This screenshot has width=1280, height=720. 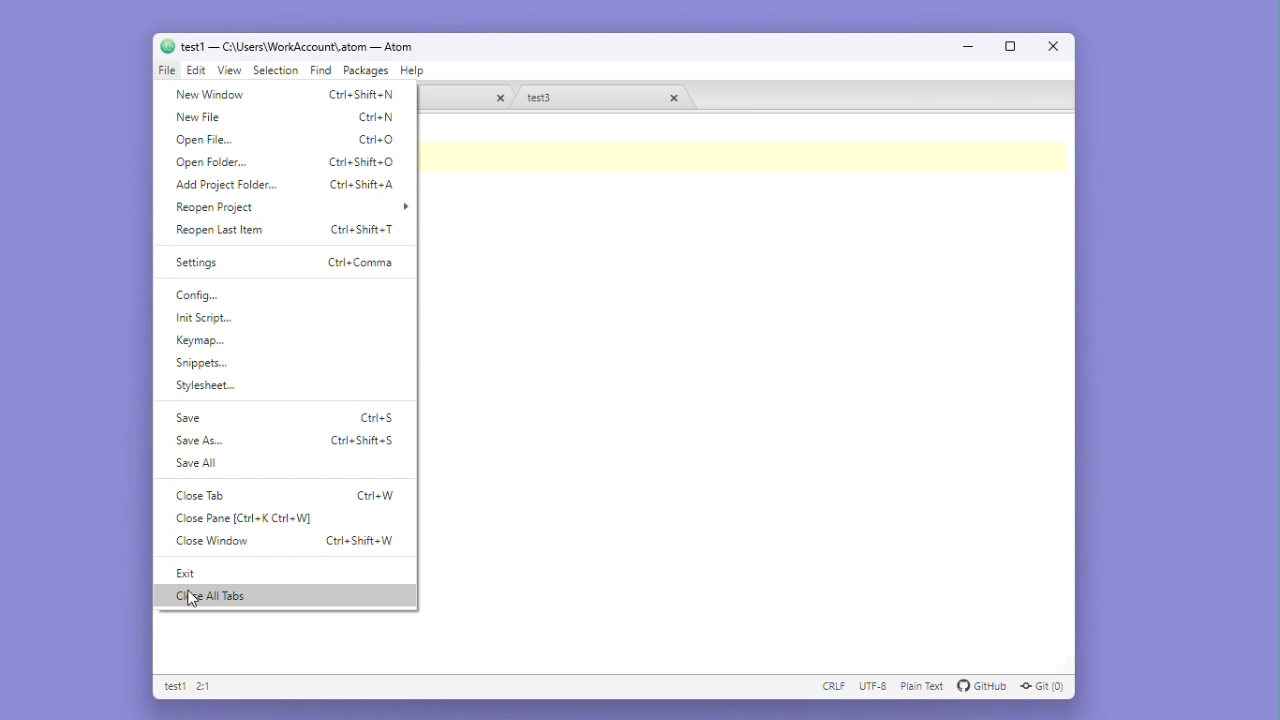 I want to click on logo, so click(x=162, y=45).